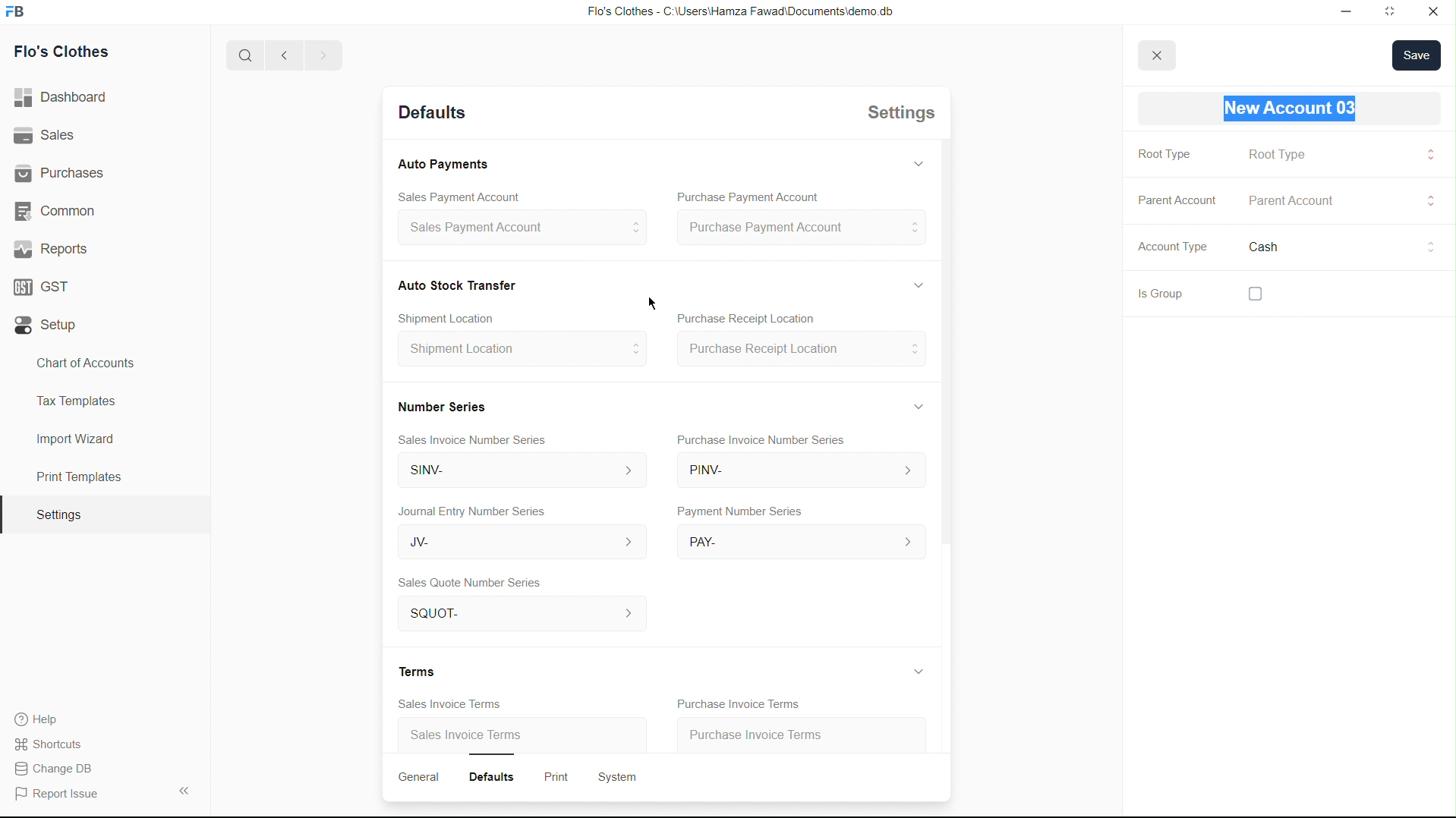 The width and height of the screenshot is (1456, 818). I want to click on Payment Number Series, so click(736, 512).